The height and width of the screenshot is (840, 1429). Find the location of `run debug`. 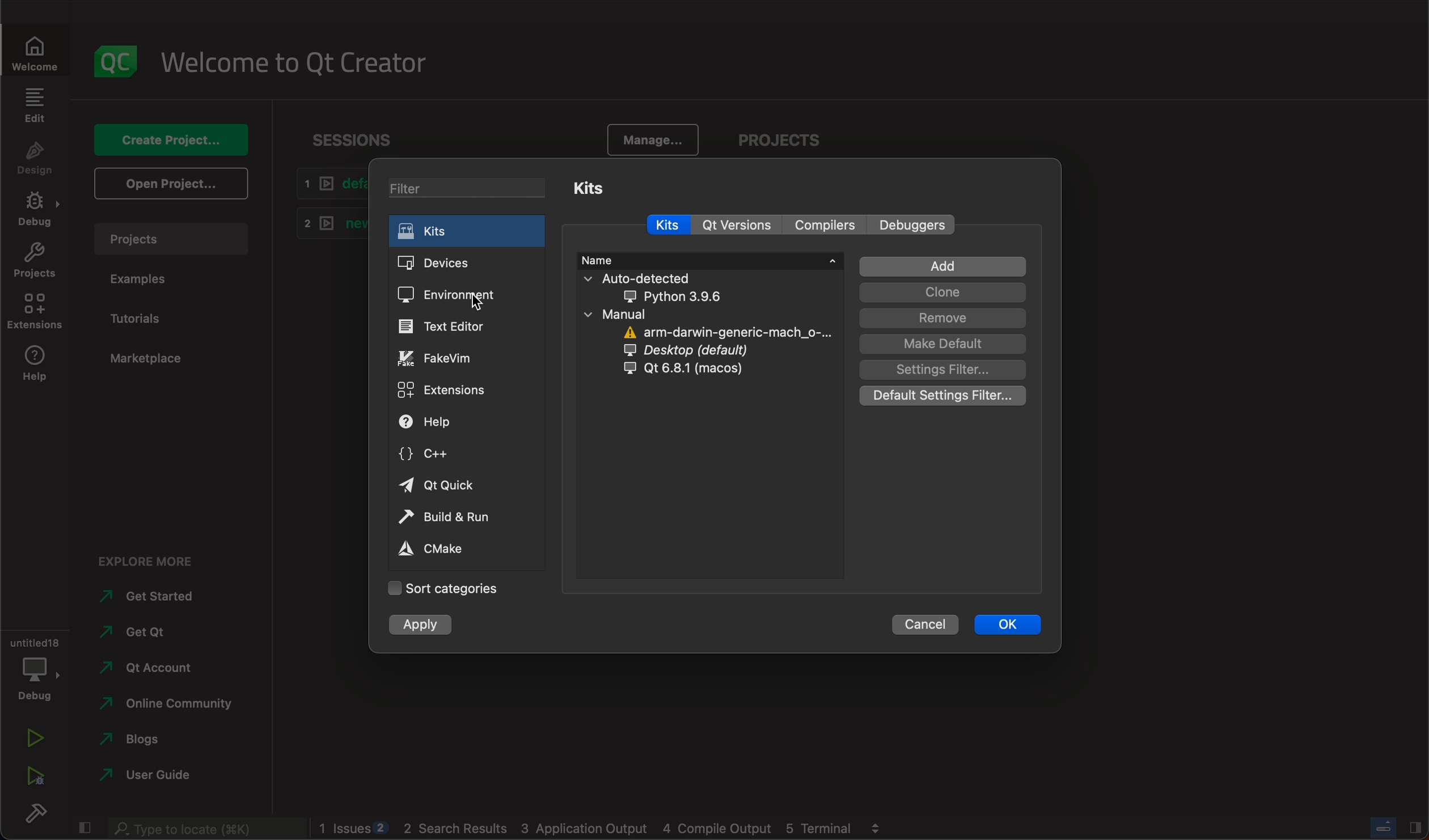

run debug is located at coordinates (33, 777).